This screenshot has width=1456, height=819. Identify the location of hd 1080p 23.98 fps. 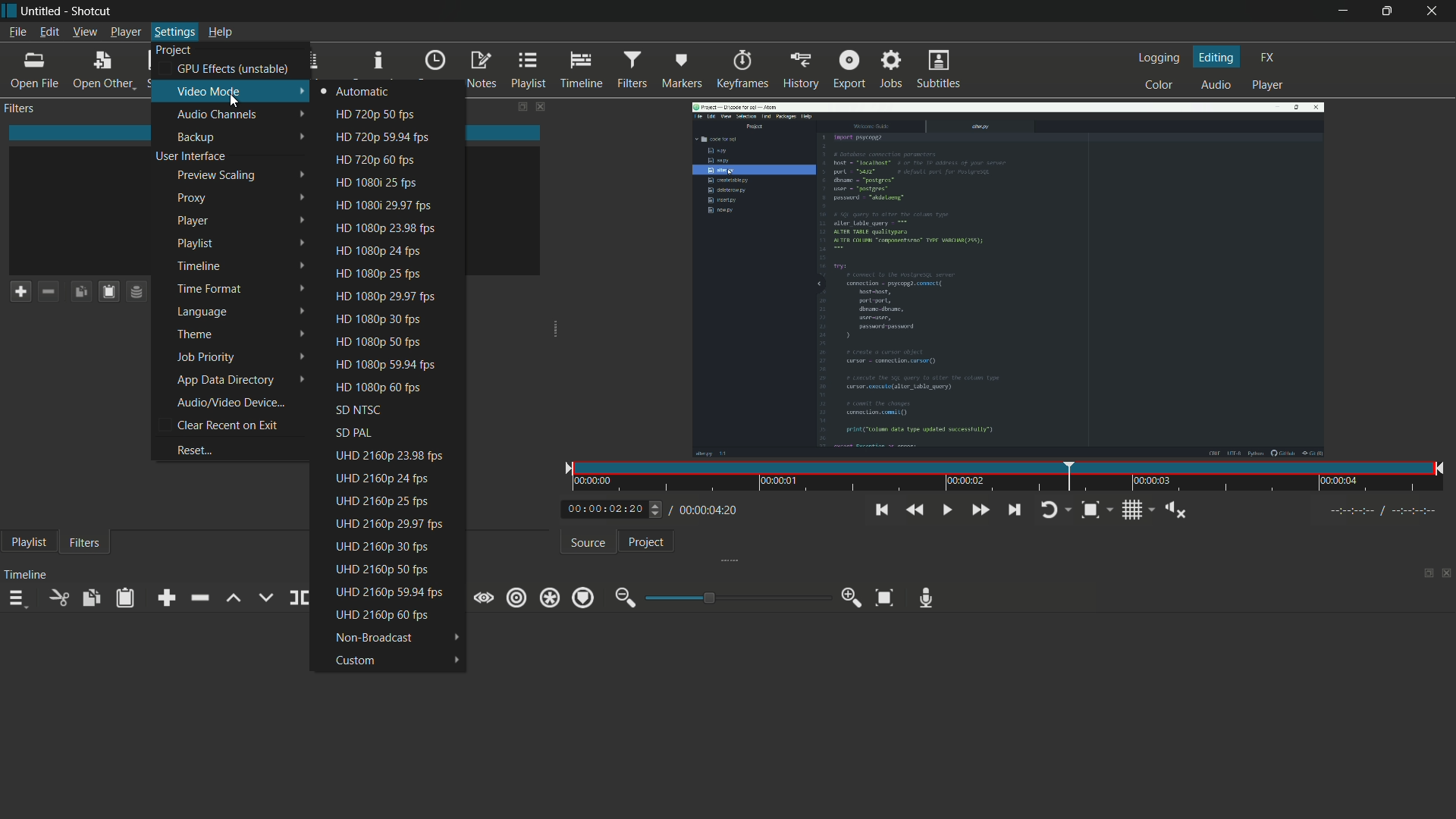
(398, 229).